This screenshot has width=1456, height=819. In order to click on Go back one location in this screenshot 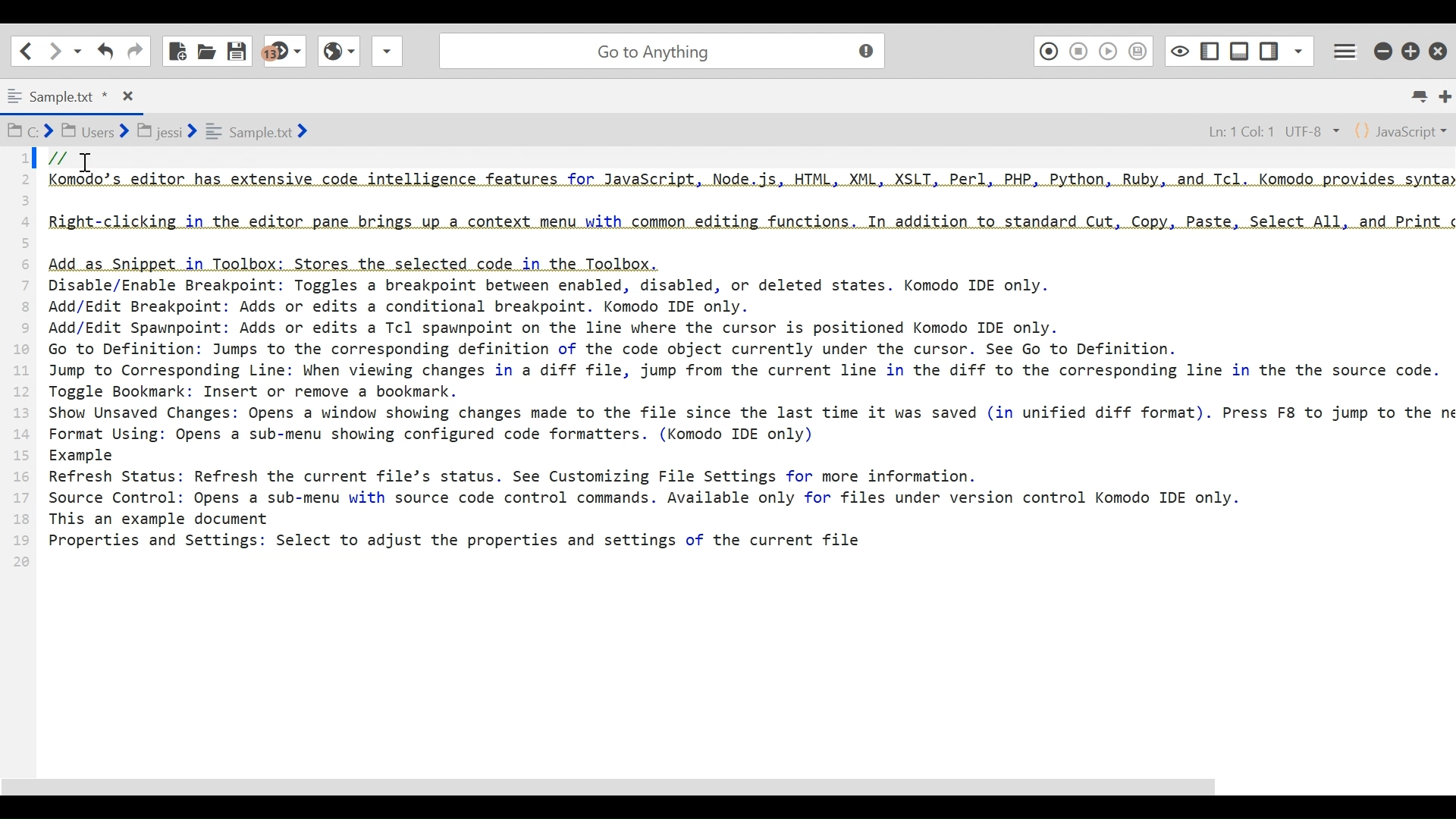, I will do `click(26, 50)`.